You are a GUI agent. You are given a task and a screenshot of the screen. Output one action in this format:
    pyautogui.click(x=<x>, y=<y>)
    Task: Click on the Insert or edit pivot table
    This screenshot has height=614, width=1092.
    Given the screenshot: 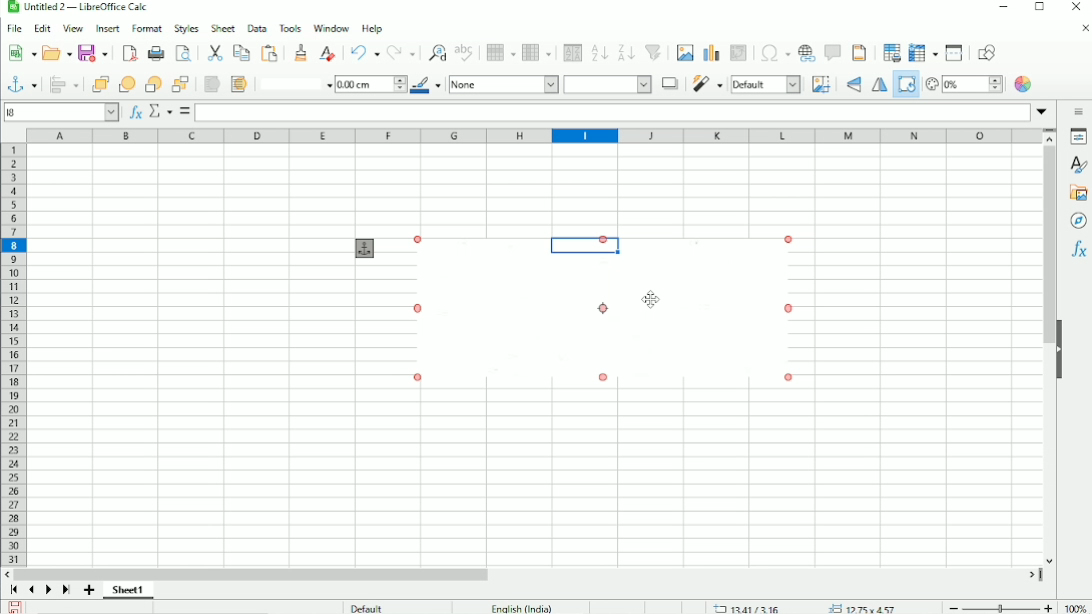 What is the action you would take?
    pyautogui.click(x=739, y=53)
    